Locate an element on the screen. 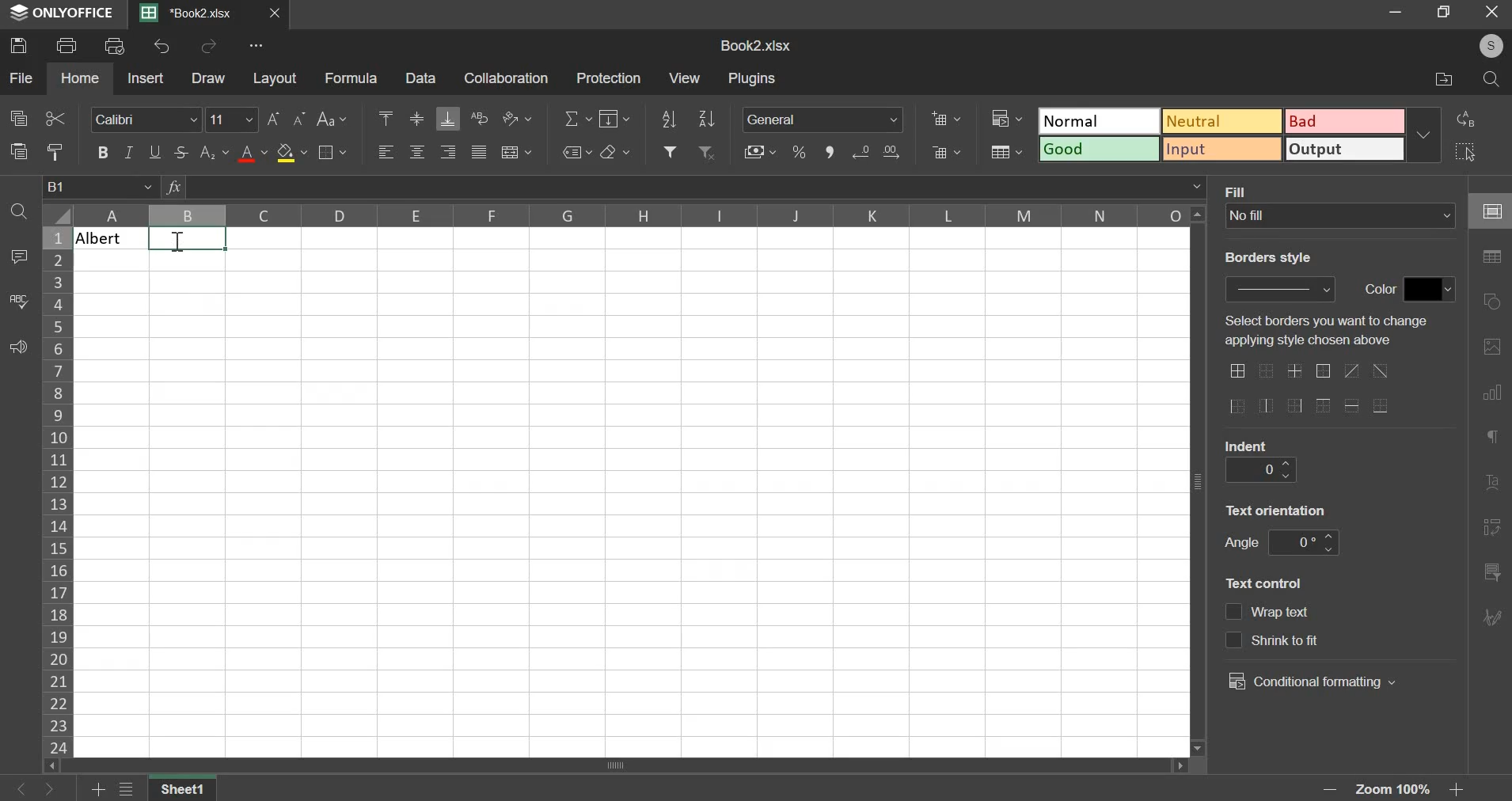  increase & decrease decimal is located at coordinates (876, 151).